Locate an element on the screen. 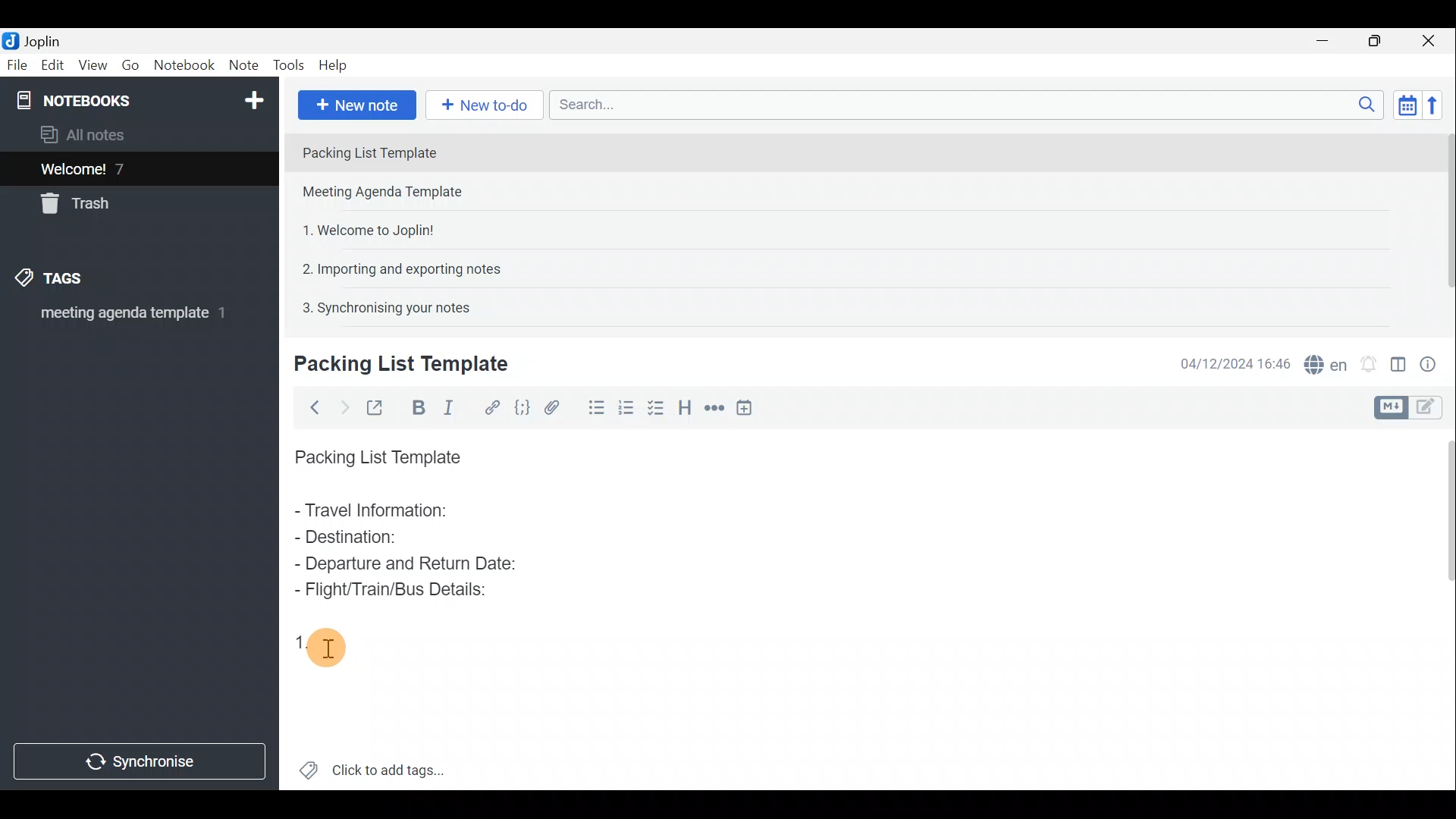 The height and width of the screenshot is (819, 1456). Help is located at coordinates (335, 67).